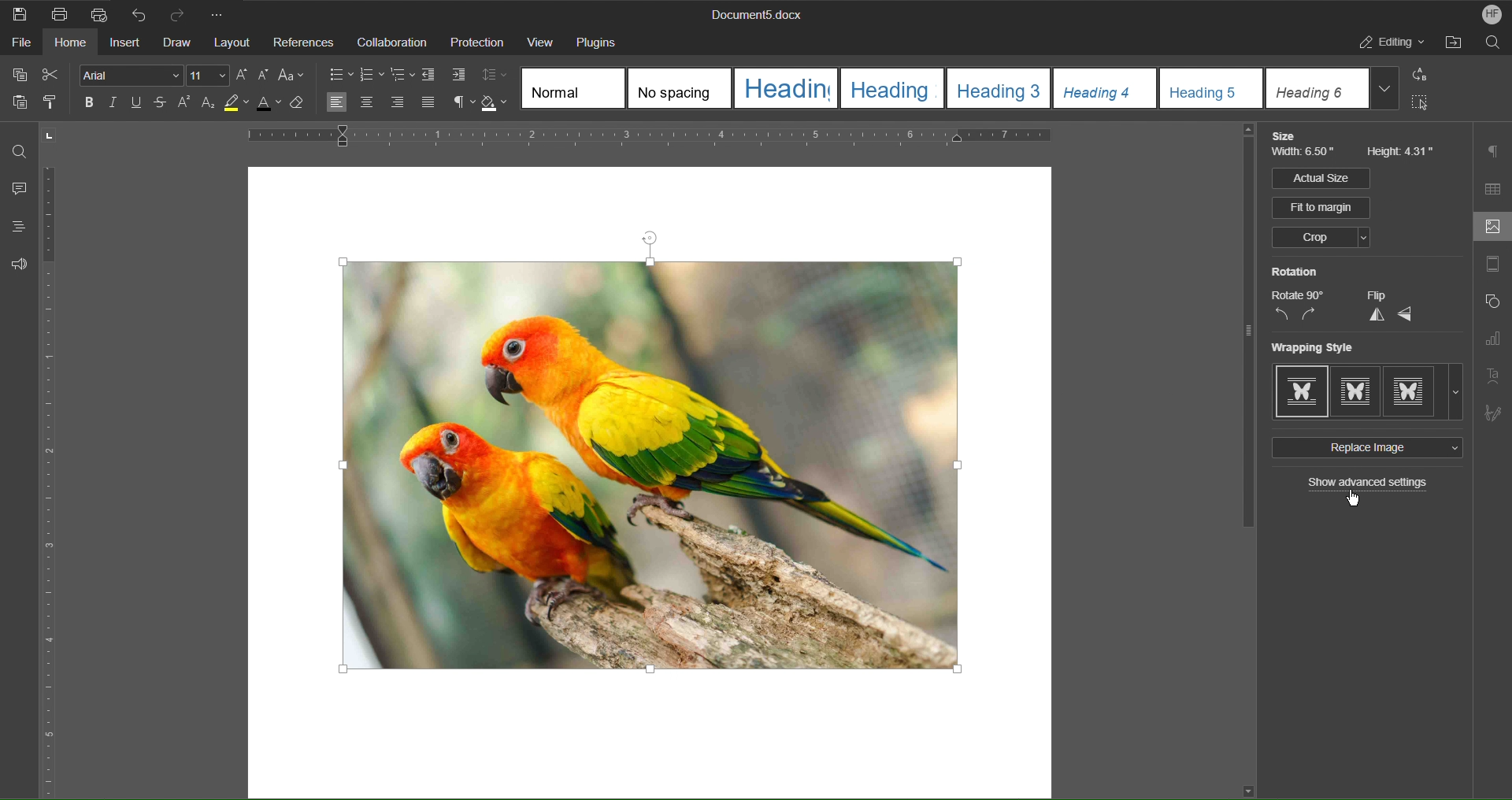 Image resolution: width=1512 pixels, height=800 pixels. Describe the element at coordinates (1281, 315) in the screenshot. I see `Rotate CCW` at that location.